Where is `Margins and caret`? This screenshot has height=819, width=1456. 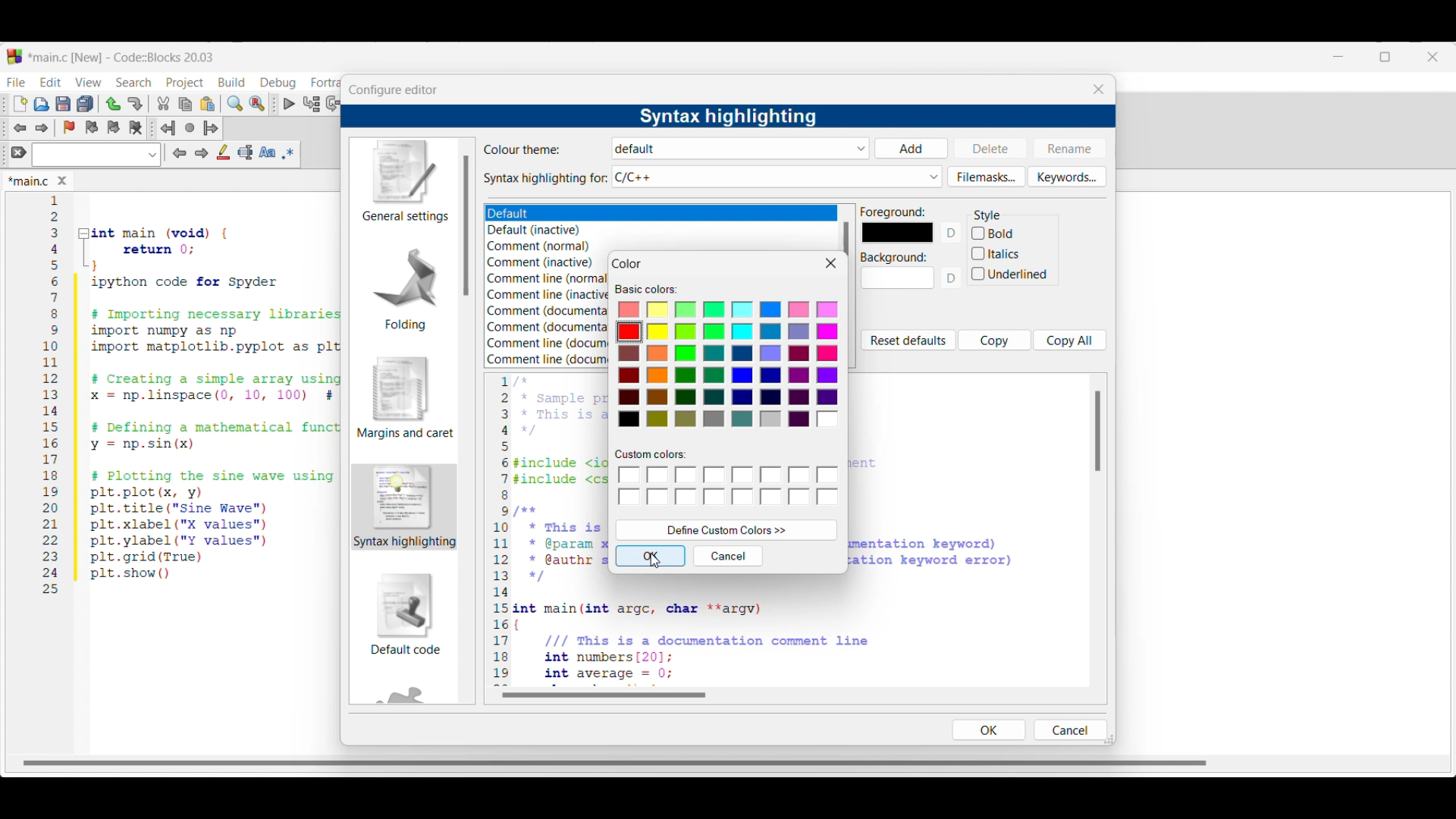 Margins and caret is located at coordinates (406, 397).